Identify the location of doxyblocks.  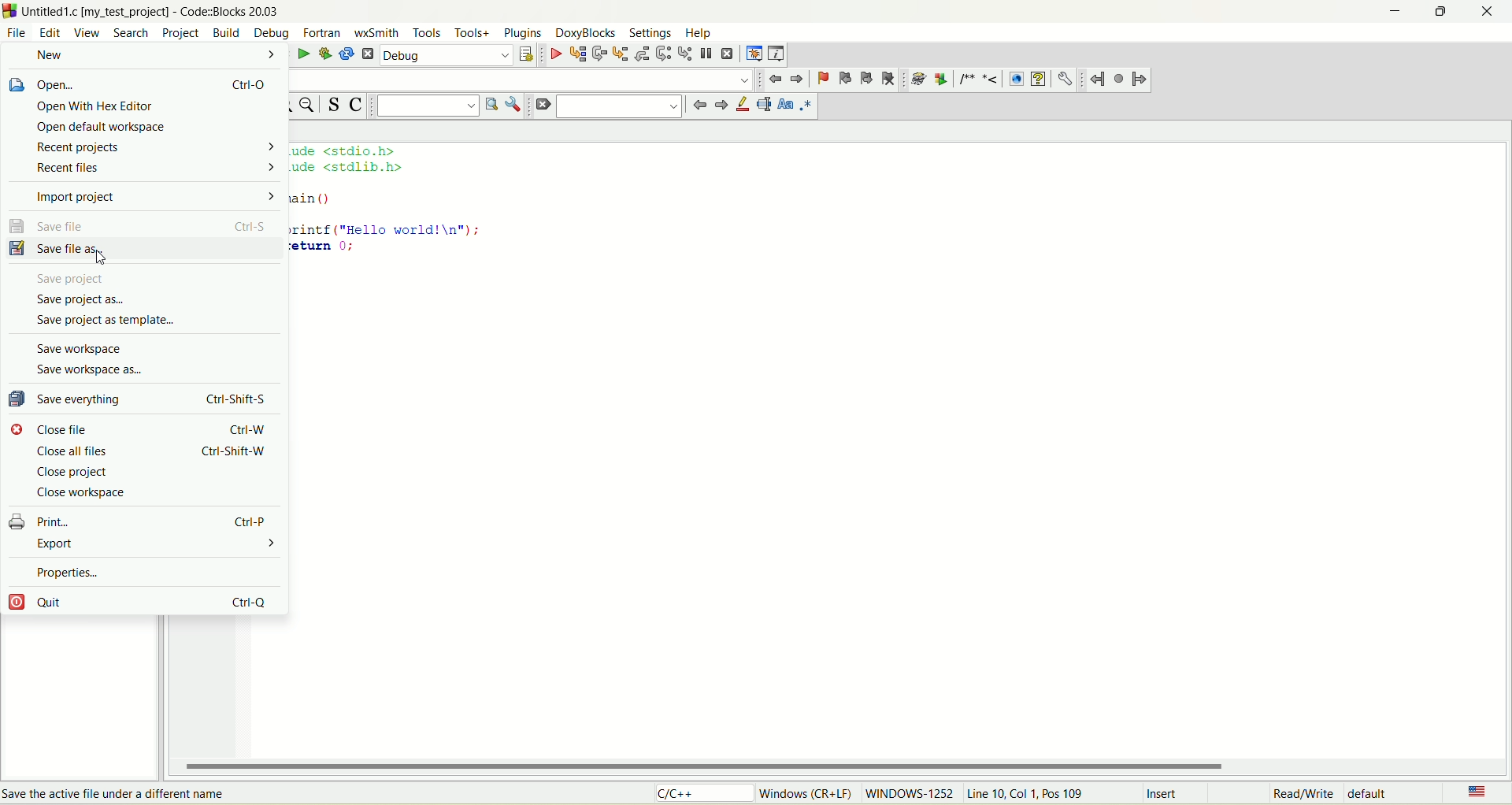
(586, 34).